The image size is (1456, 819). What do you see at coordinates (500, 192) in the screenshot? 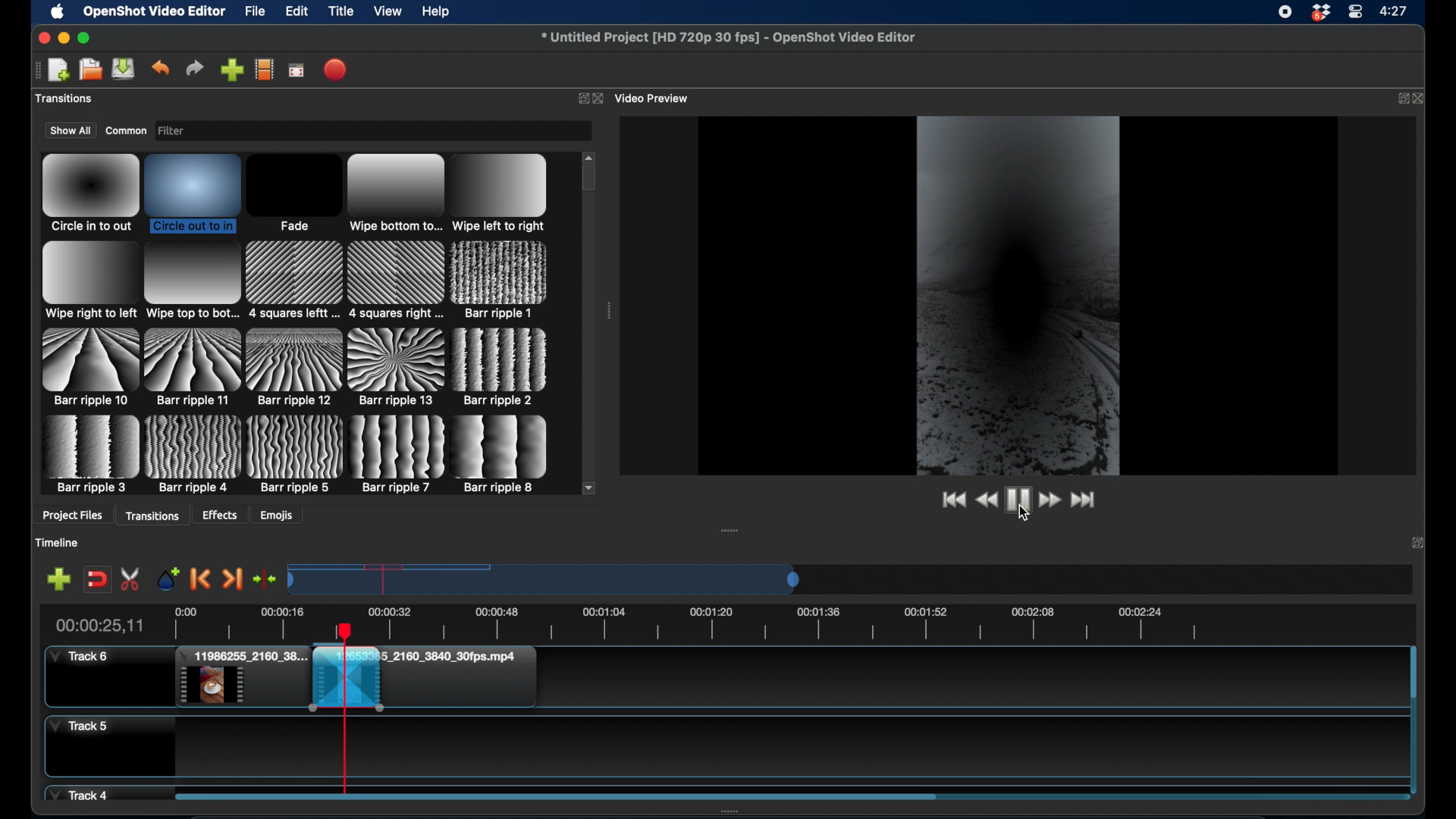
I see `transition` at bounding box center [500, 192].